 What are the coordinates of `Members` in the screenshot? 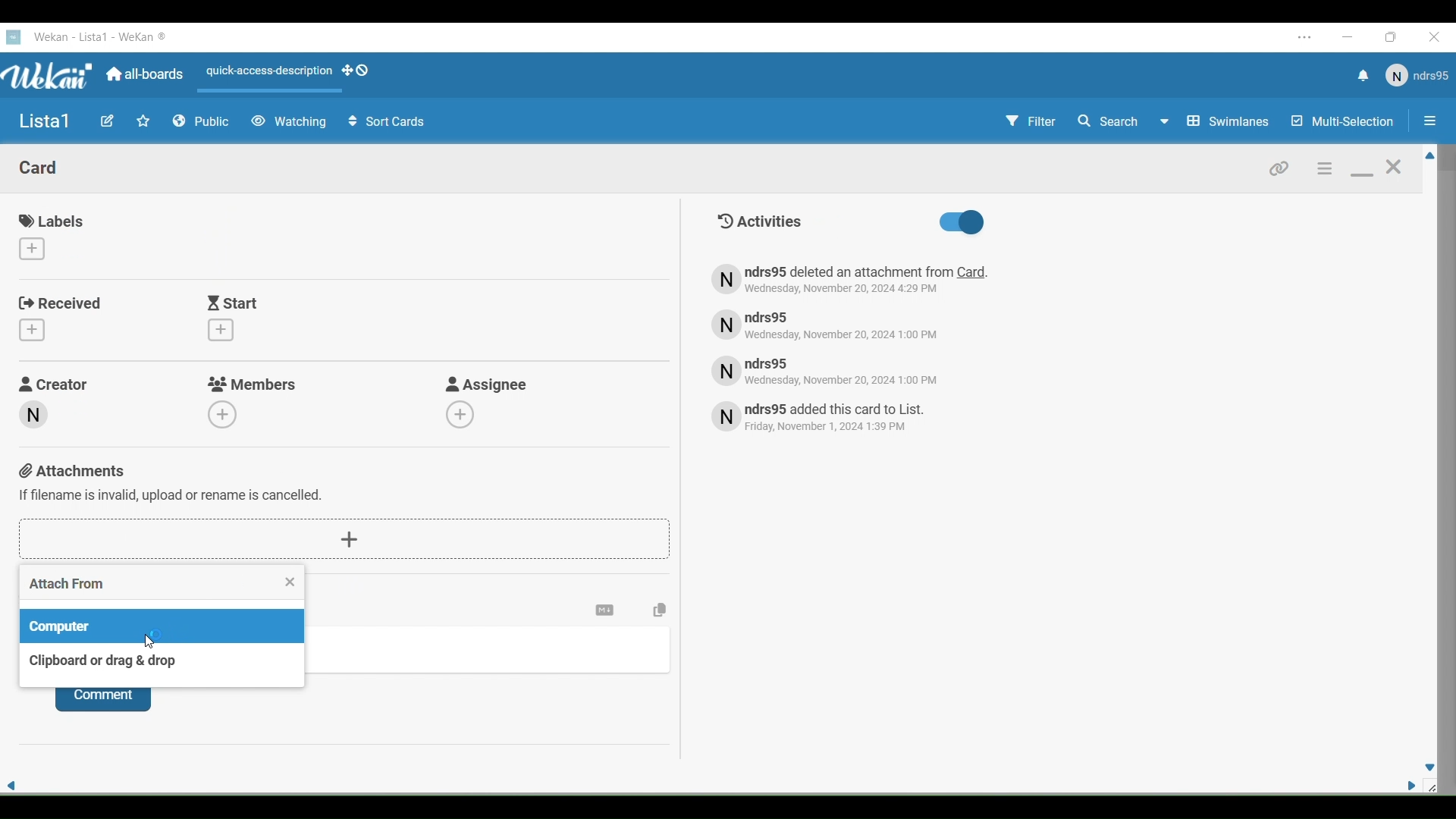 It's located at (253, 384).